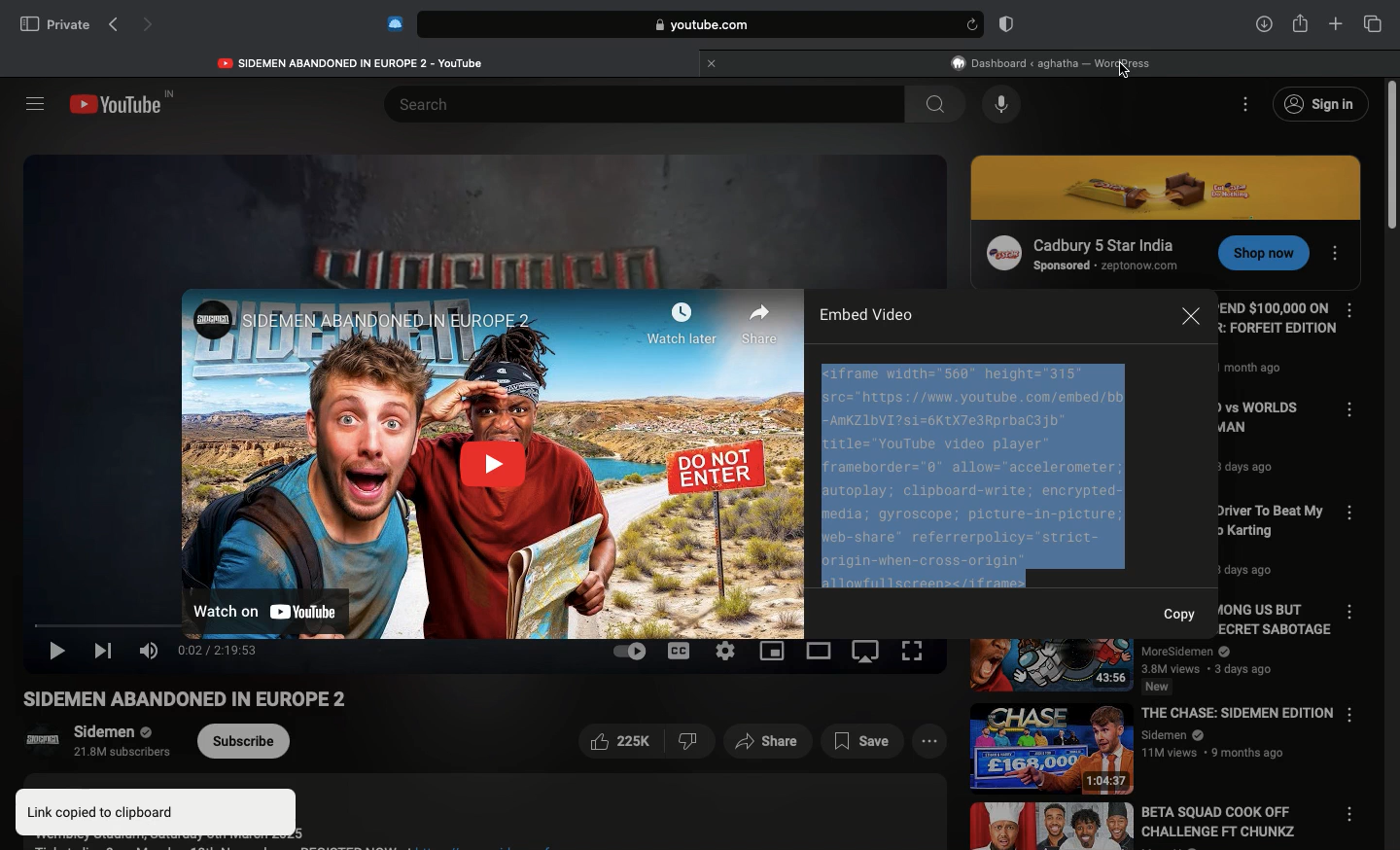 This screenshot has width=1400, height=850. Describe the element at coordinates (1355, 614) in the screenshot. I see `Options` at that location.